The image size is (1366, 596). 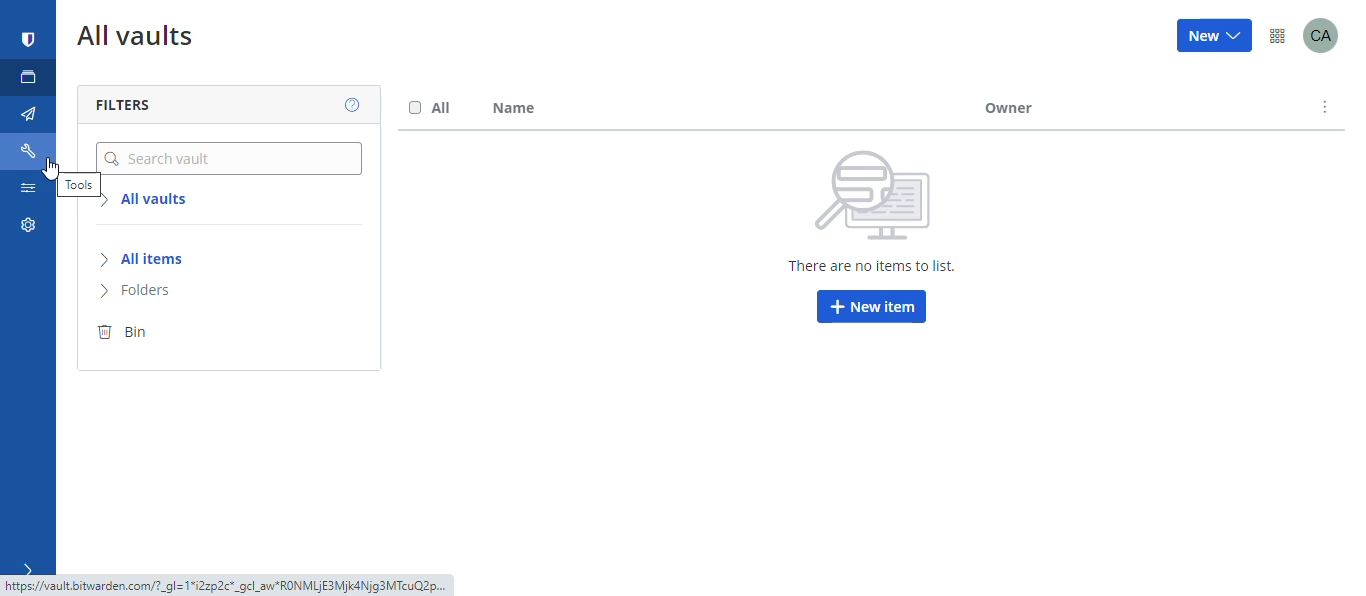 I want to click on add new item button, so click(x=871, y=308).